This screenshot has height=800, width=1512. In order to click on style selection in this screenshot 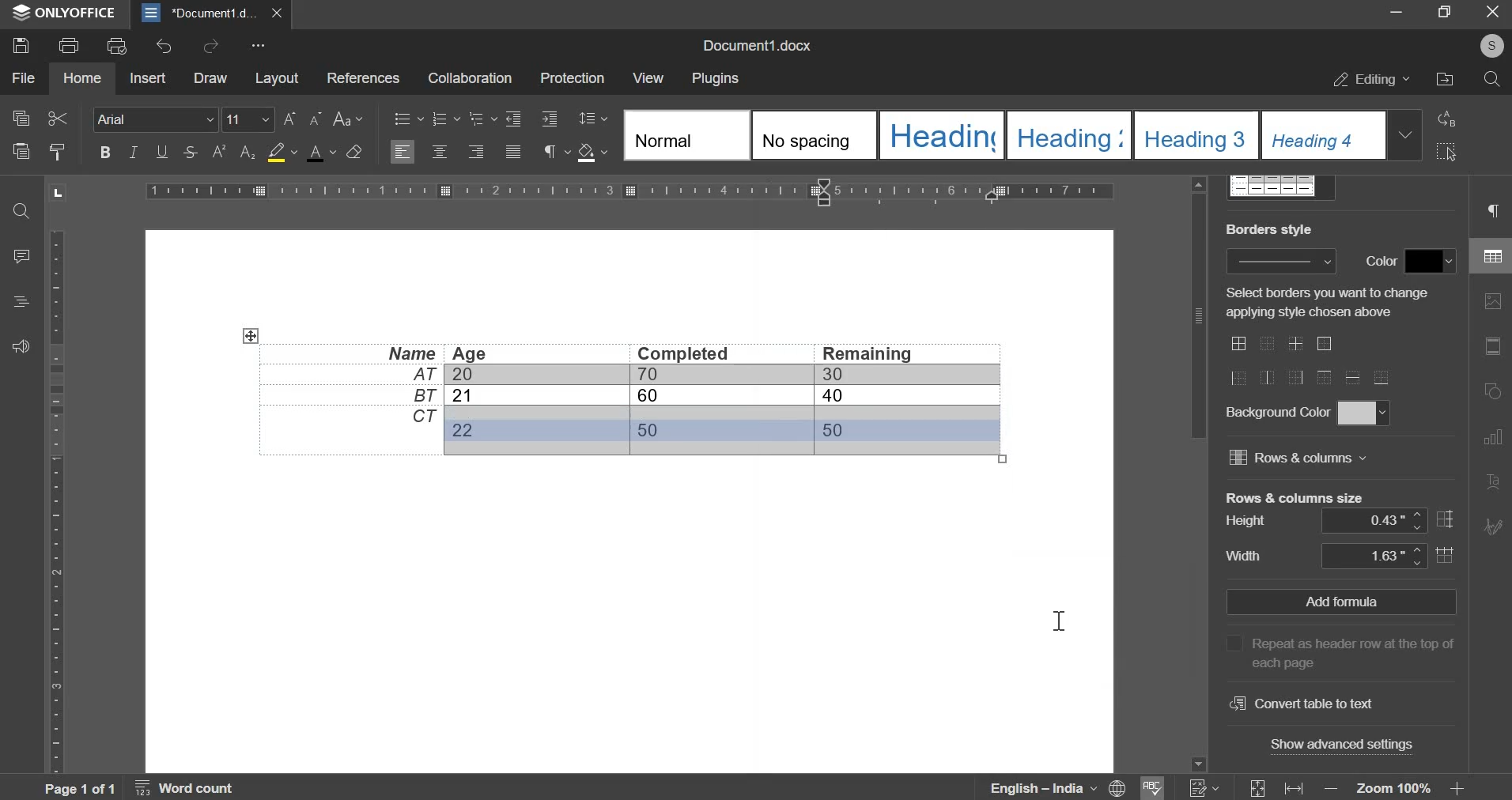, I will do `click(1023, 135)`.